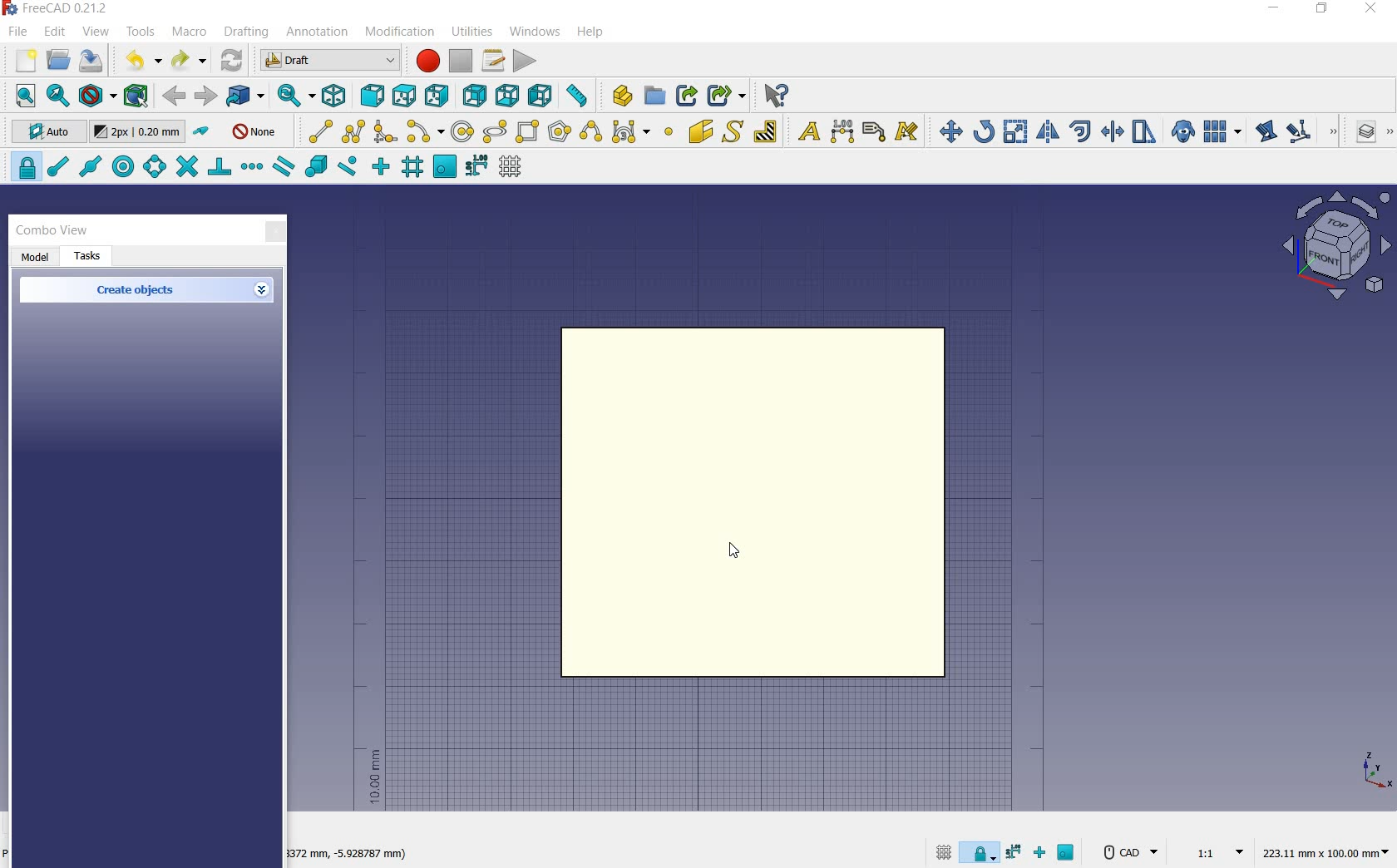 This screenshot has height=868, width=1397. Describe the element at coordinates (402, 33) in the screenshot. I see `modification` at that location.